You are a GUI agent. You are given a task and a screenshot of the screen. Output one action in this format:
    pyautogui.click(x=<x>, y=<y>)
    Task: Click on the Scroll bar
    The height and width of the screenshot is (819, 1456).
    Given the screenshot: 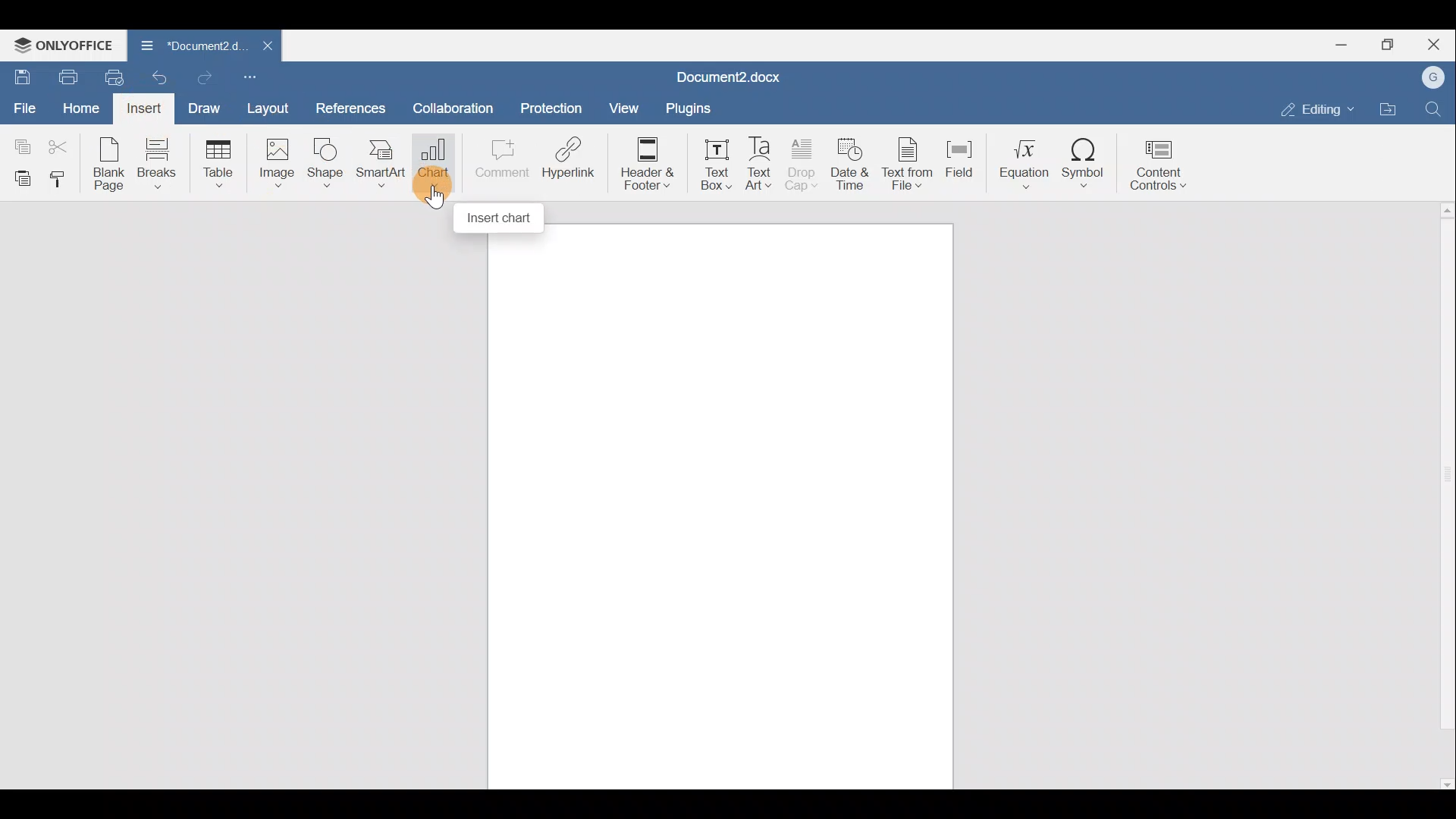 What is the action you would take?
    pyautogui.click(x=1441, y=497)
    